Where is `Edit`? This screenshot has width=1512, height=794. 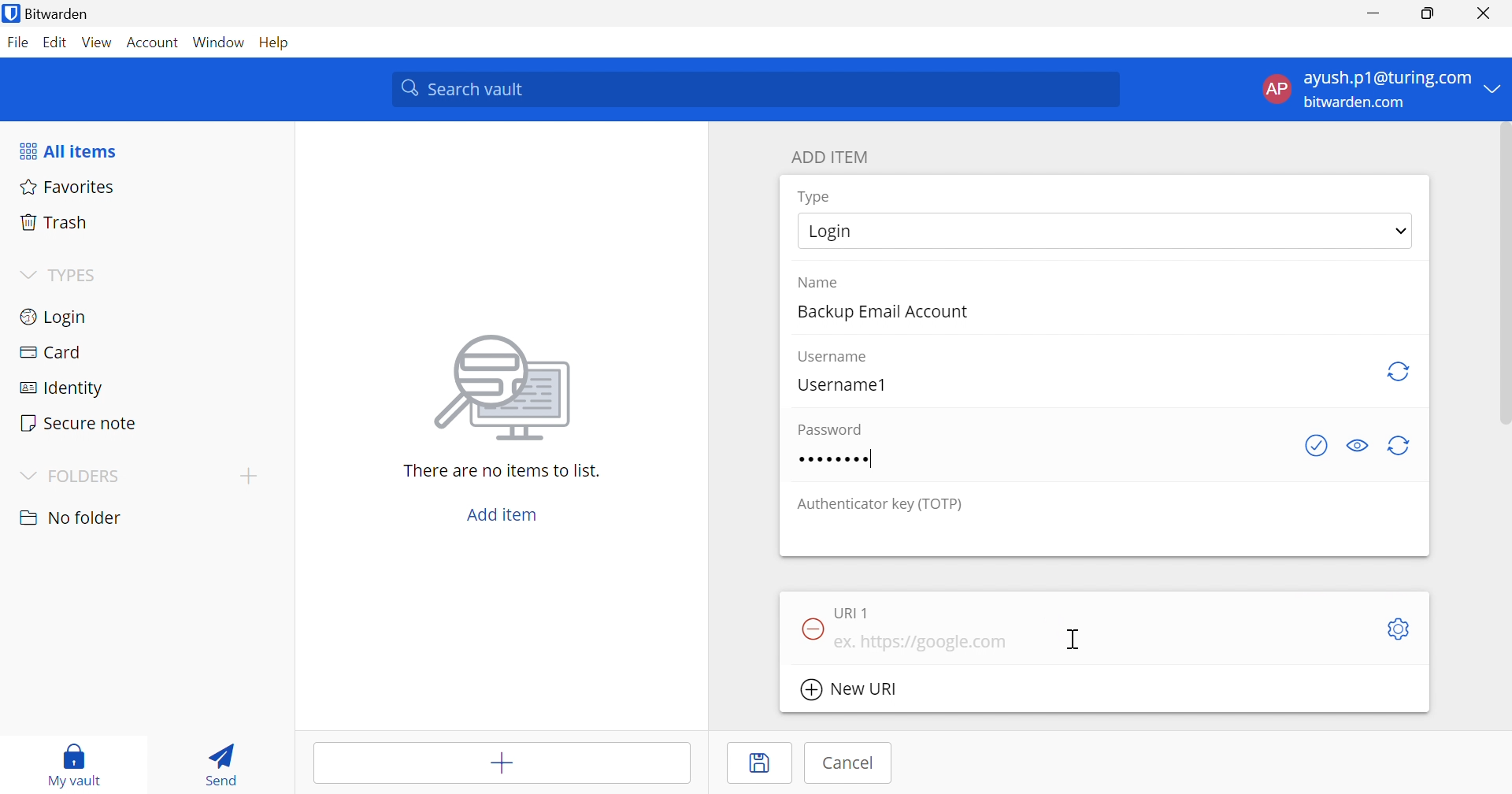 Edit is located at coordinates (55, 42).